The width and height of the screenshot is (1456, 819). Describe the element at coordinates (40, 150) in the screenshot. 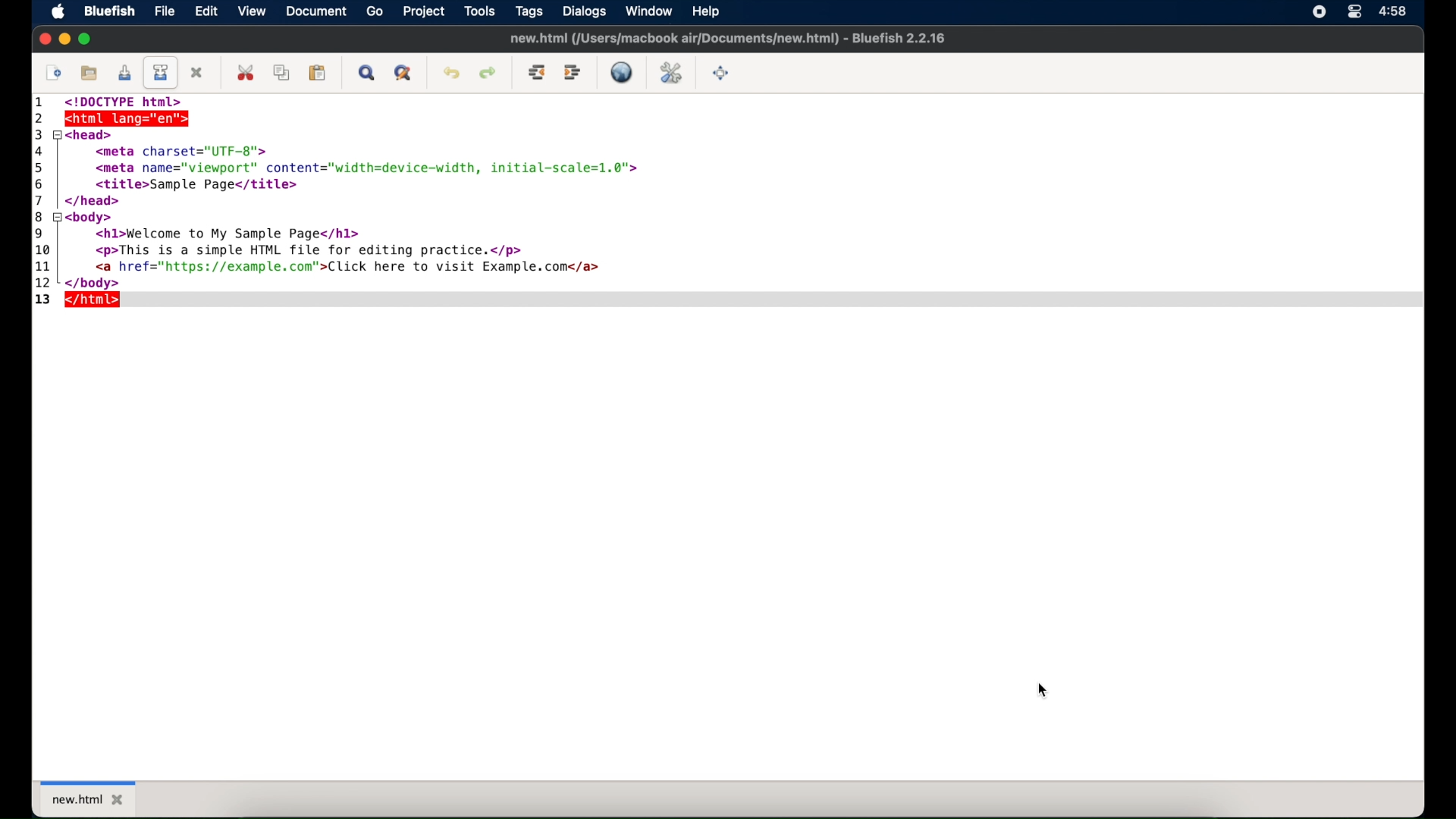

I see `4` at that location.